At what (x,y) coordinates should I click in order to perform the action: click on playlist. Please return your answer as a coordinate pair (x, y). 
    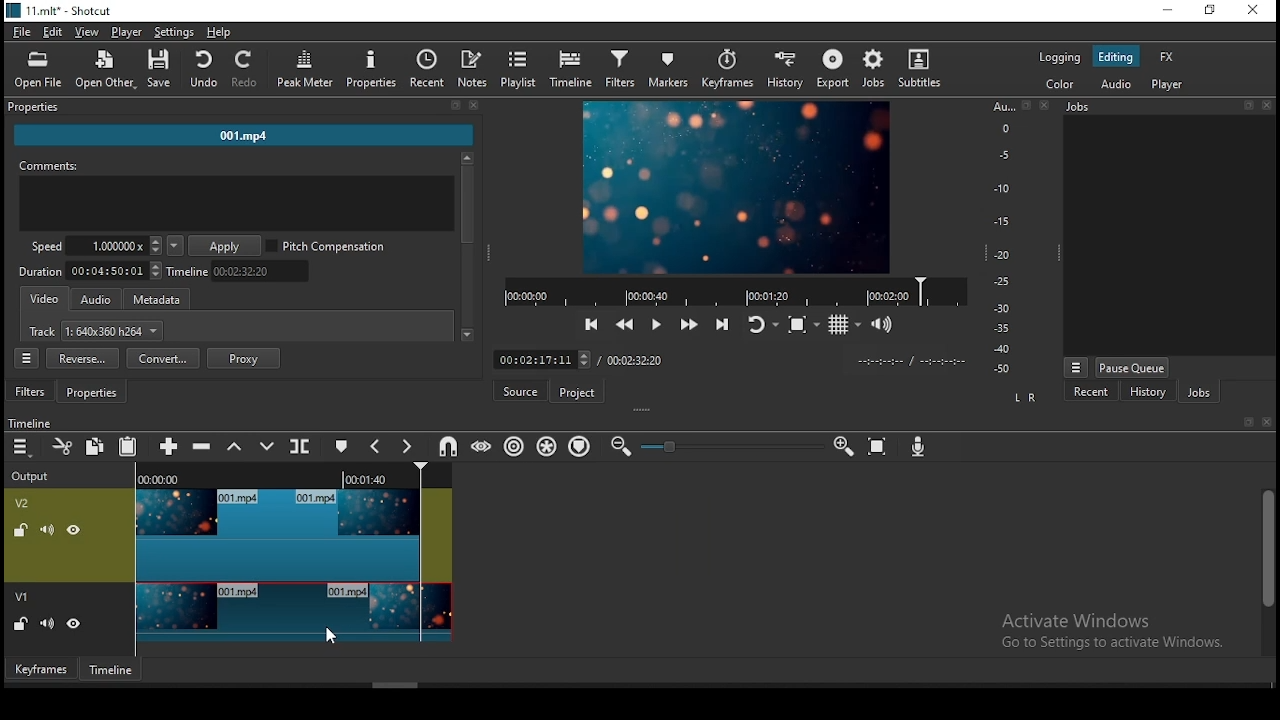
    Looking at the image, I should click on (519, 69).